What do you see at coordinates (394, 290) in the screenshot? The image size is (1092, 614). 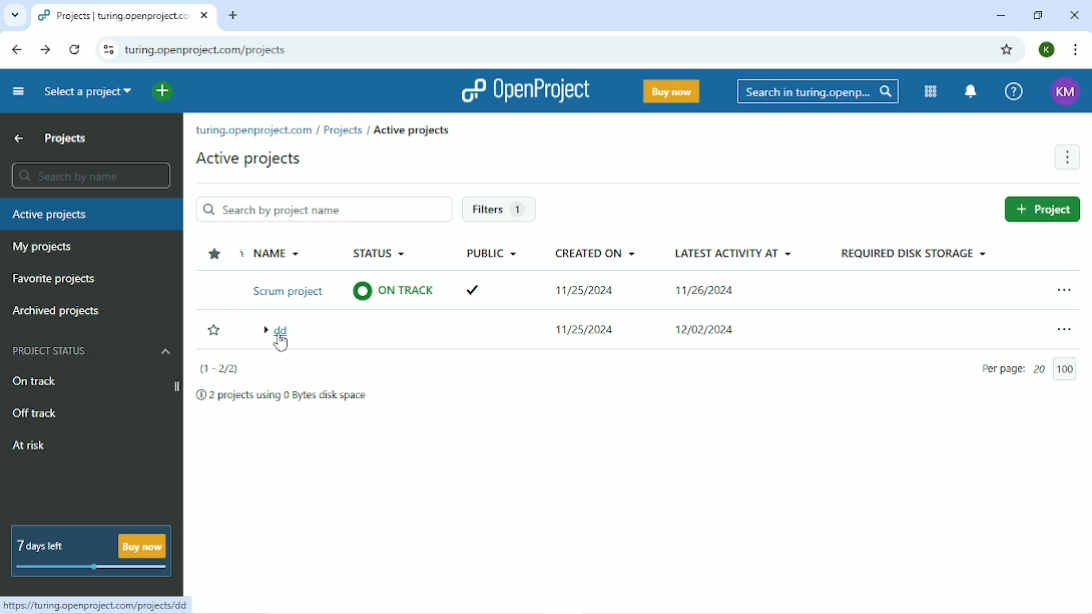 I see `ON TRACK` at bounding box center [394, 290].